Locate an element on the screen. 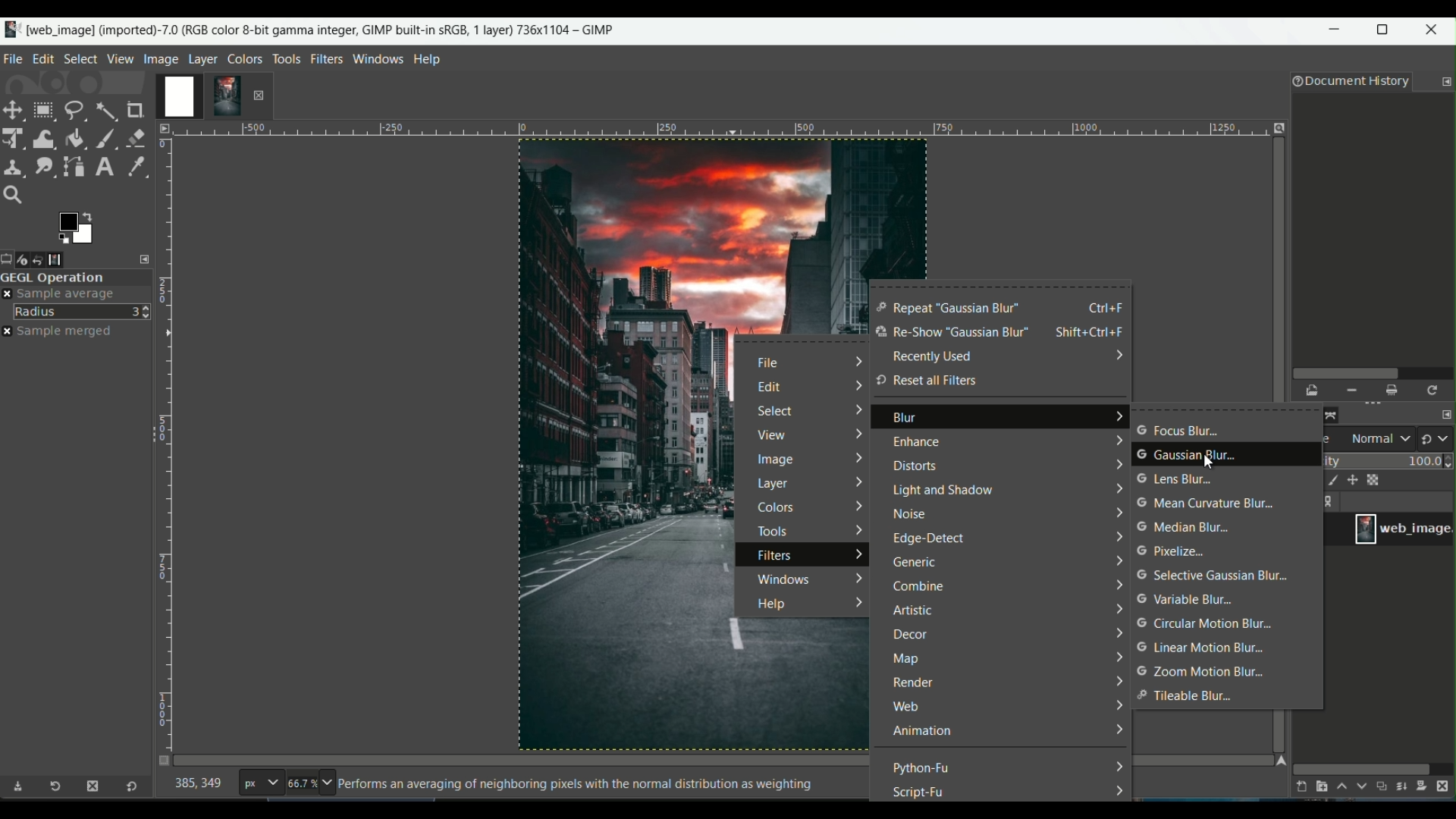 The width and height of the screenshot is (1456, 819). fuzzy select tool is located at coordinates (105, 109).